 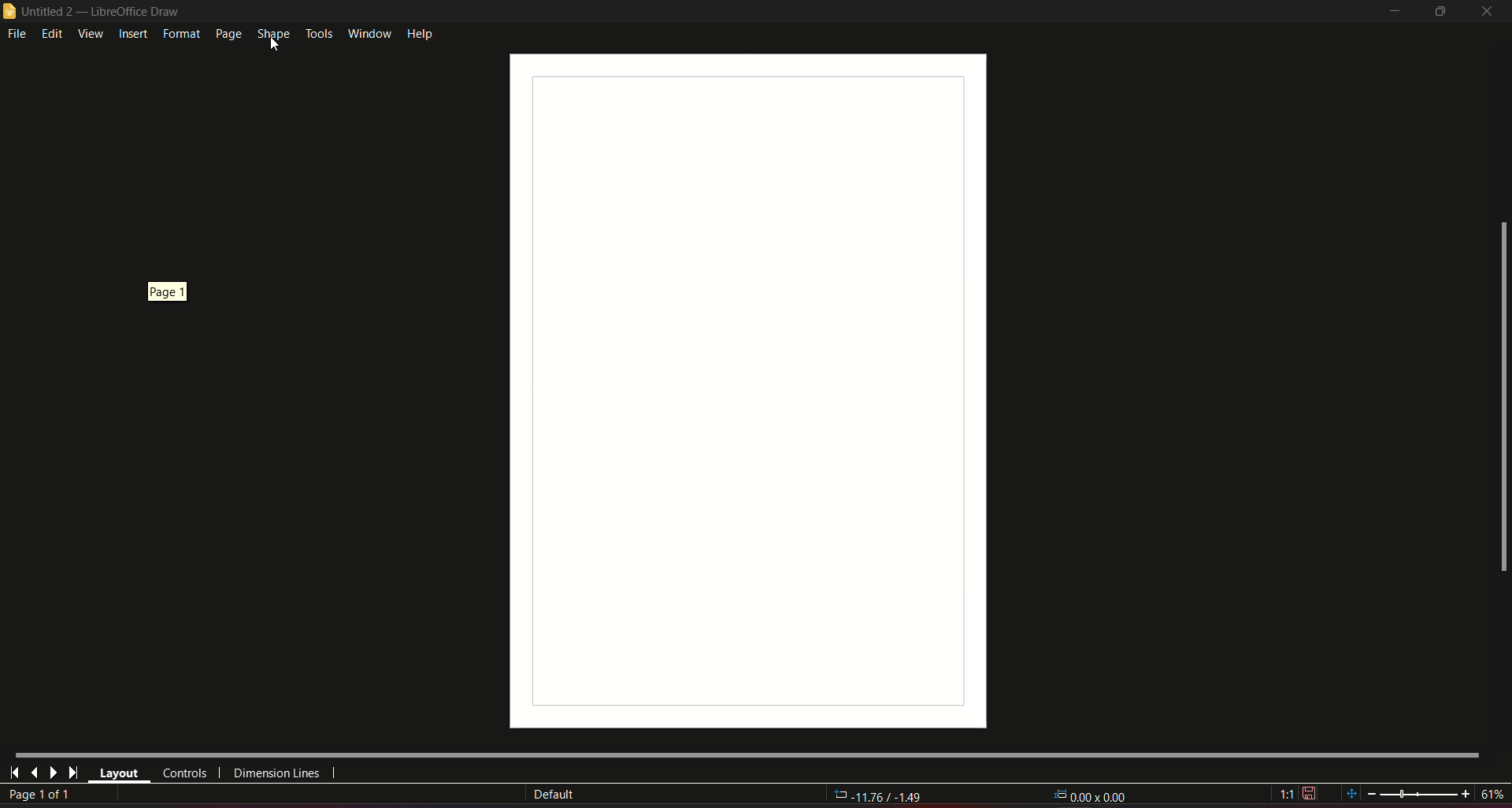 What do you see at coordinates (880, 797) in the screenshot?
I see `-11.76/-1.49` at bounding box center [880, 797].